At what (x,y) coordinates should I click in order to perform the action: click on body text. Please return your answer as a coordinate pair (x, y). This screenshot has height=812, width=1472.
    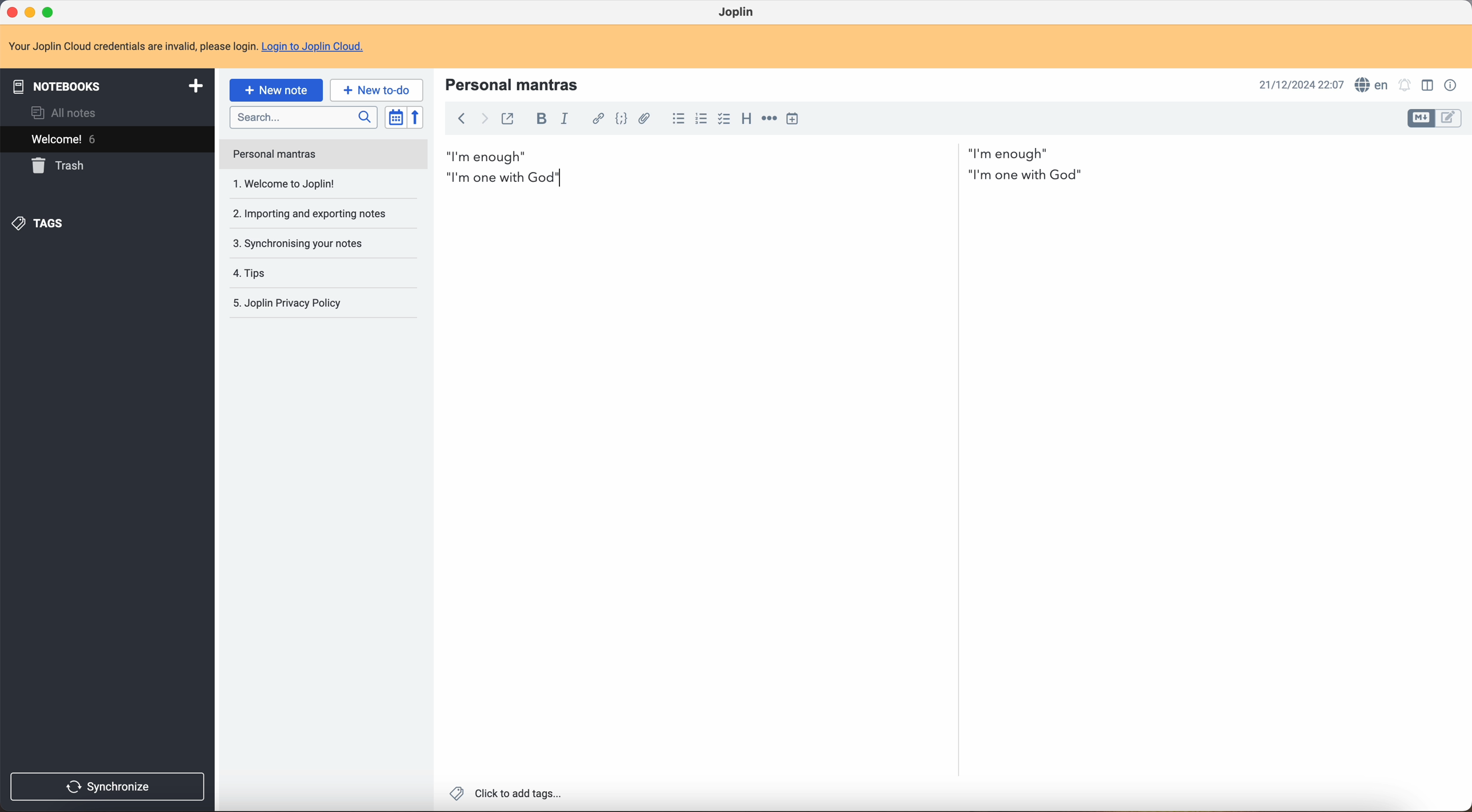
    Looking at the image, I should click on (1210, 457).